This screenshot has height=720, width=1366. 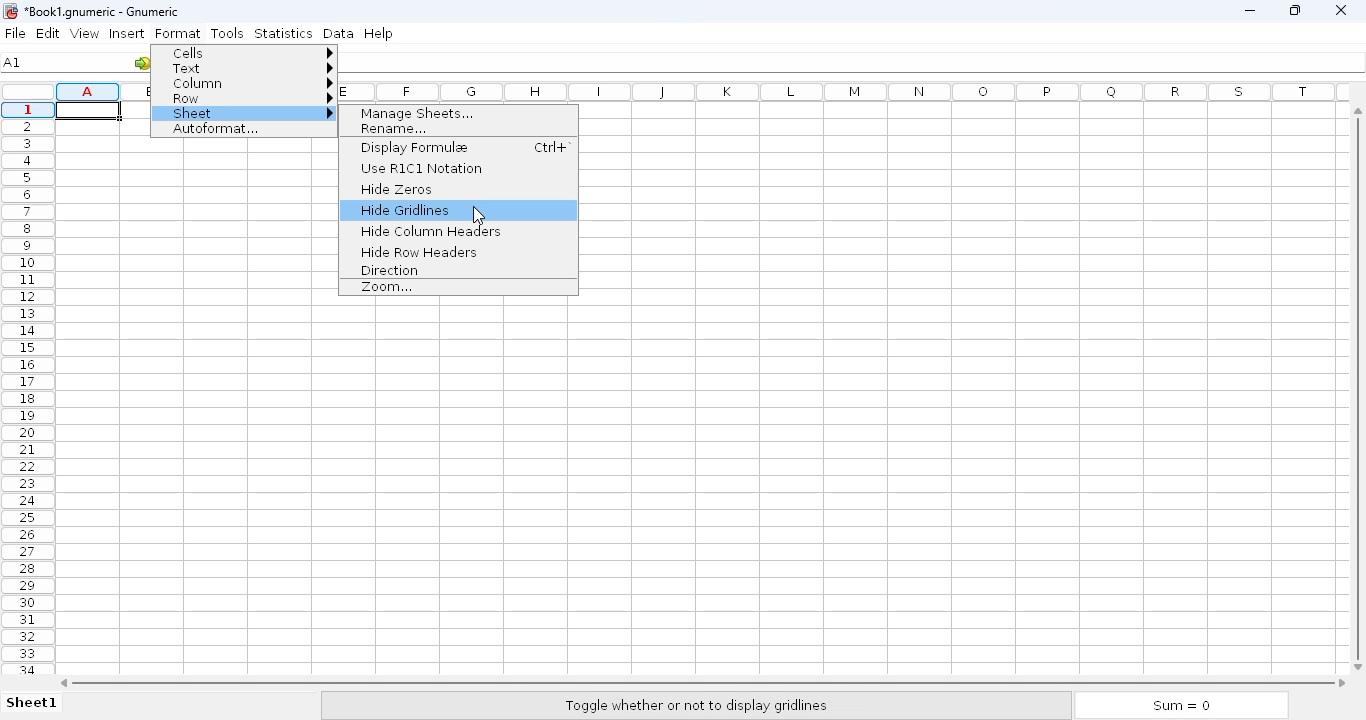 I want to click on insert, so click(x=126, y=33).